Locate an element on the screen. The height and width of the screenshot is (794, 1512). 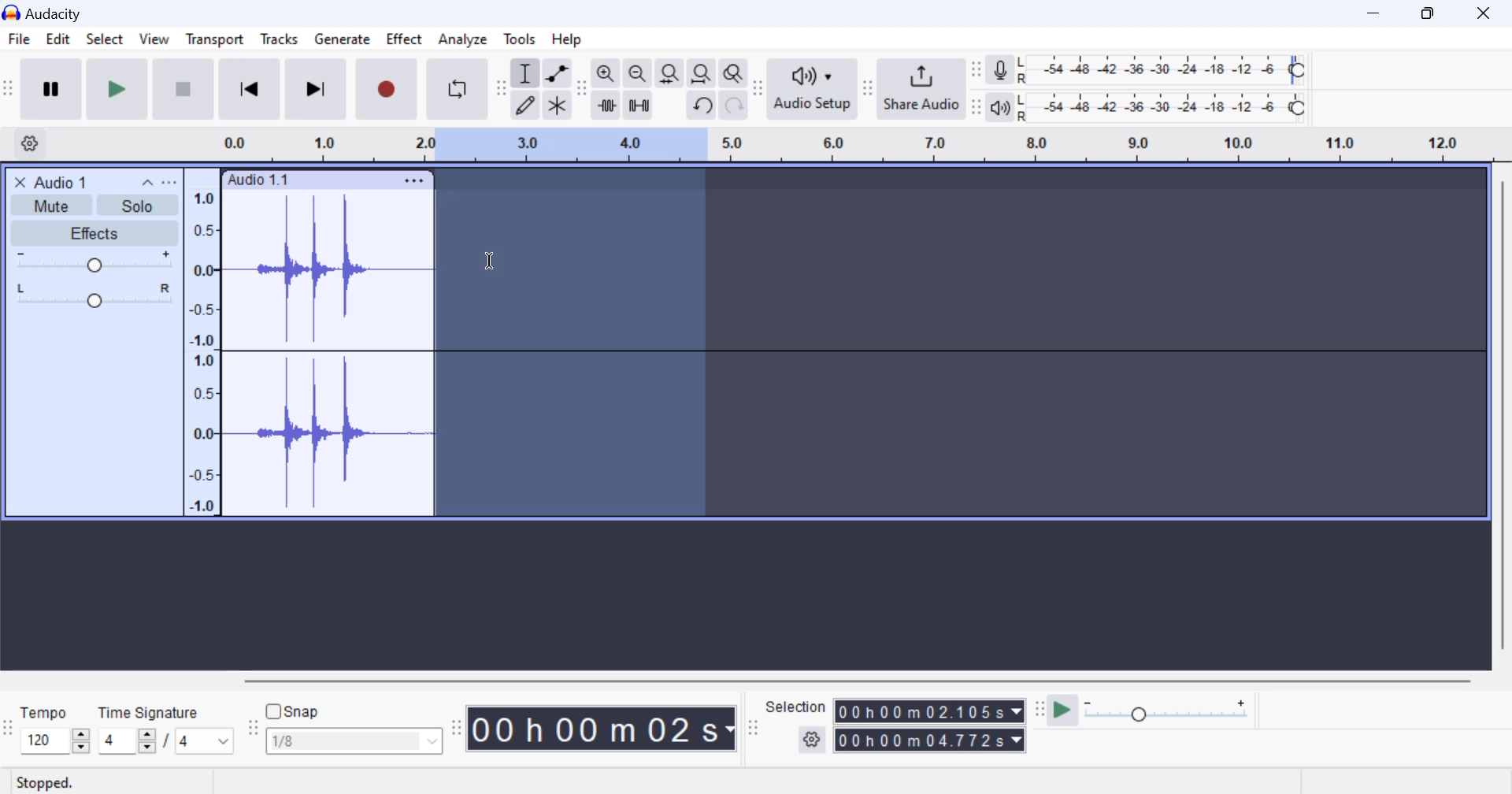
Help is located at coordinates (570, 39).